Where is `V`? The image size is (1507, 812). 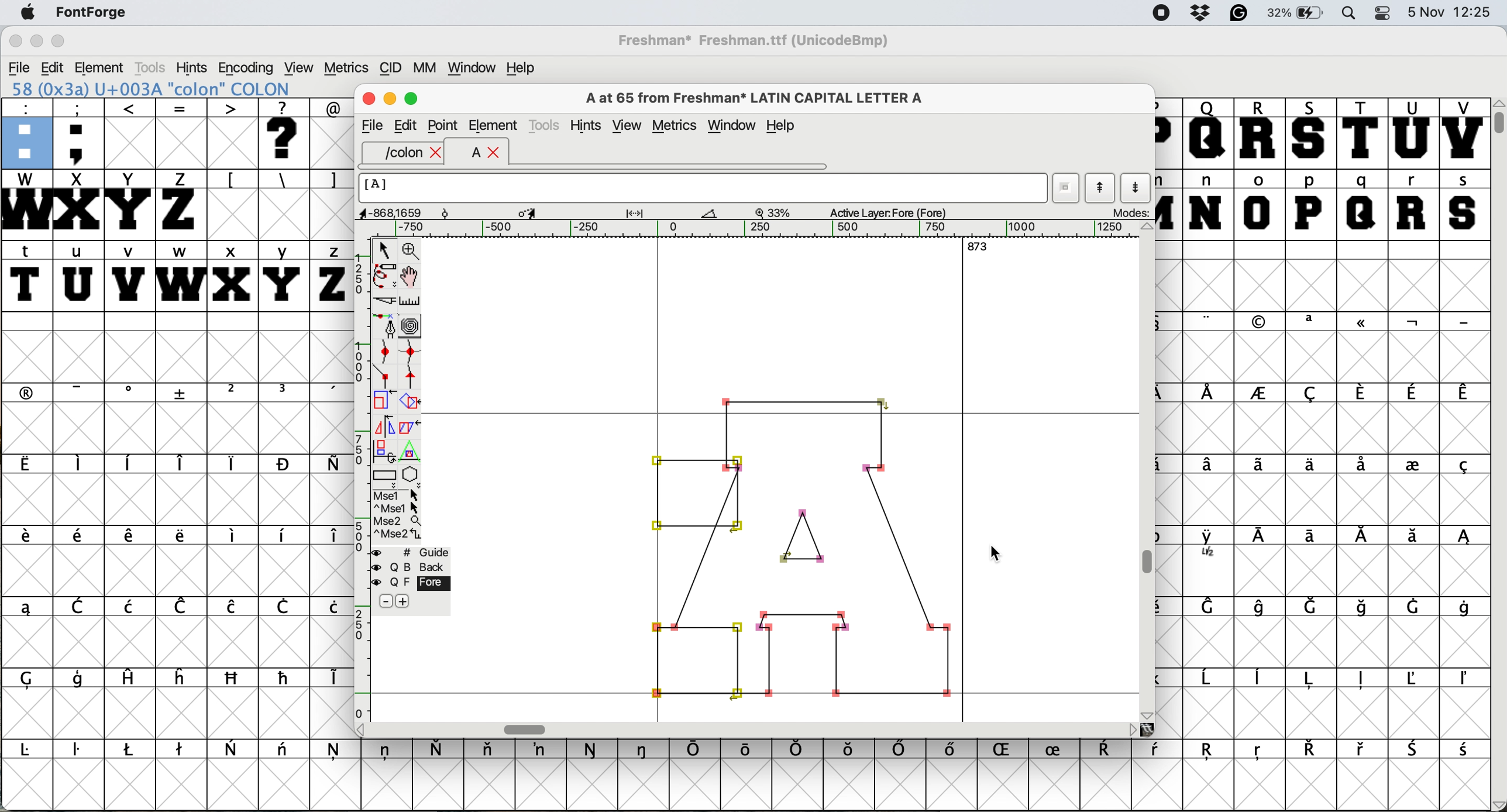 V is located at coordinates (1464, 133).